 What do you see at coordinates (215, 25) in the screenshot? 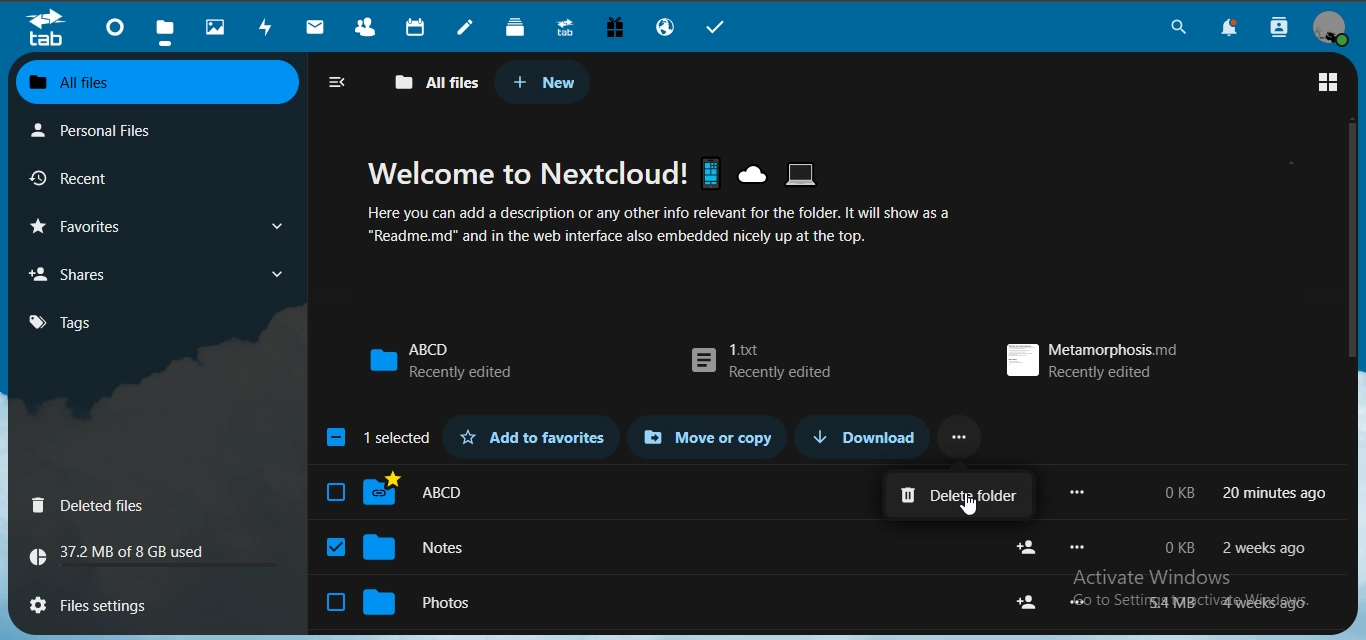
I see `photos` at bounding box center [215, 25].